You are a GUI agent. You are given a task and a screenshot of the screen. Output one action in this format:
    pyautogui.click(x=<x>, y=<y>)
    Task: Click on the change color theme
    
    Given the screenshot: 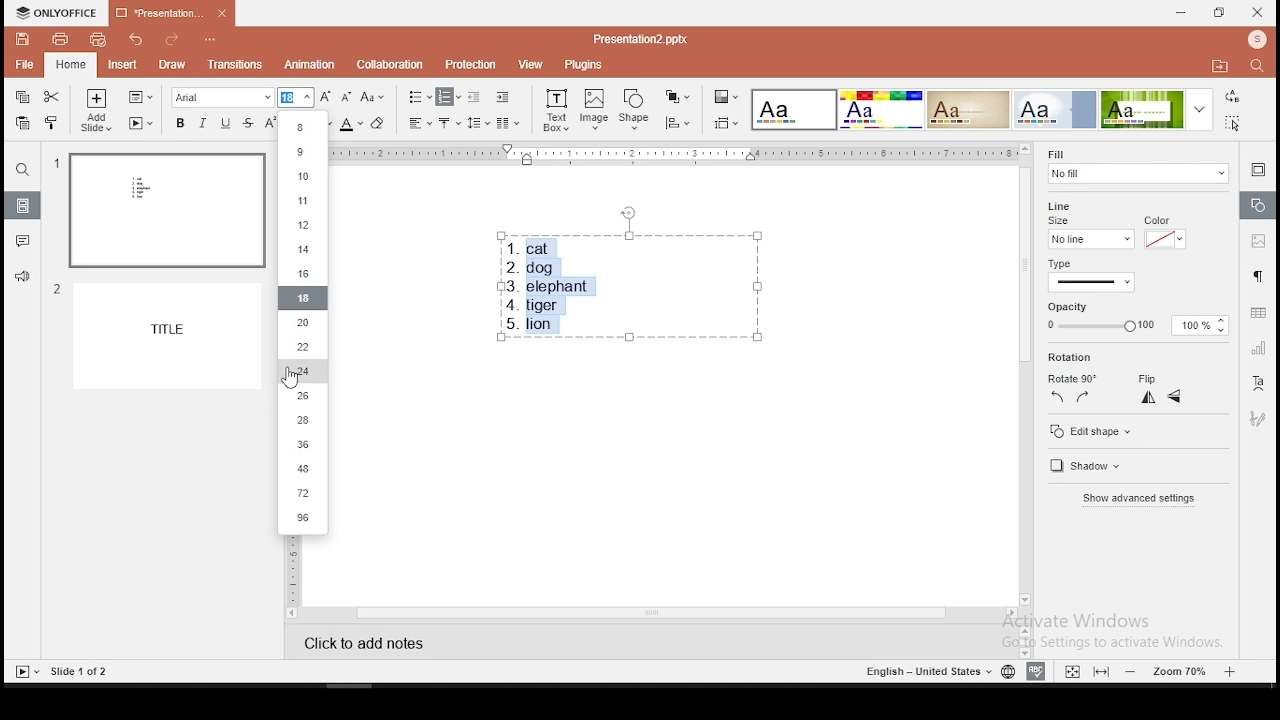 What is the action you would take?
    pyautogui.click(x=724, y=96)
    